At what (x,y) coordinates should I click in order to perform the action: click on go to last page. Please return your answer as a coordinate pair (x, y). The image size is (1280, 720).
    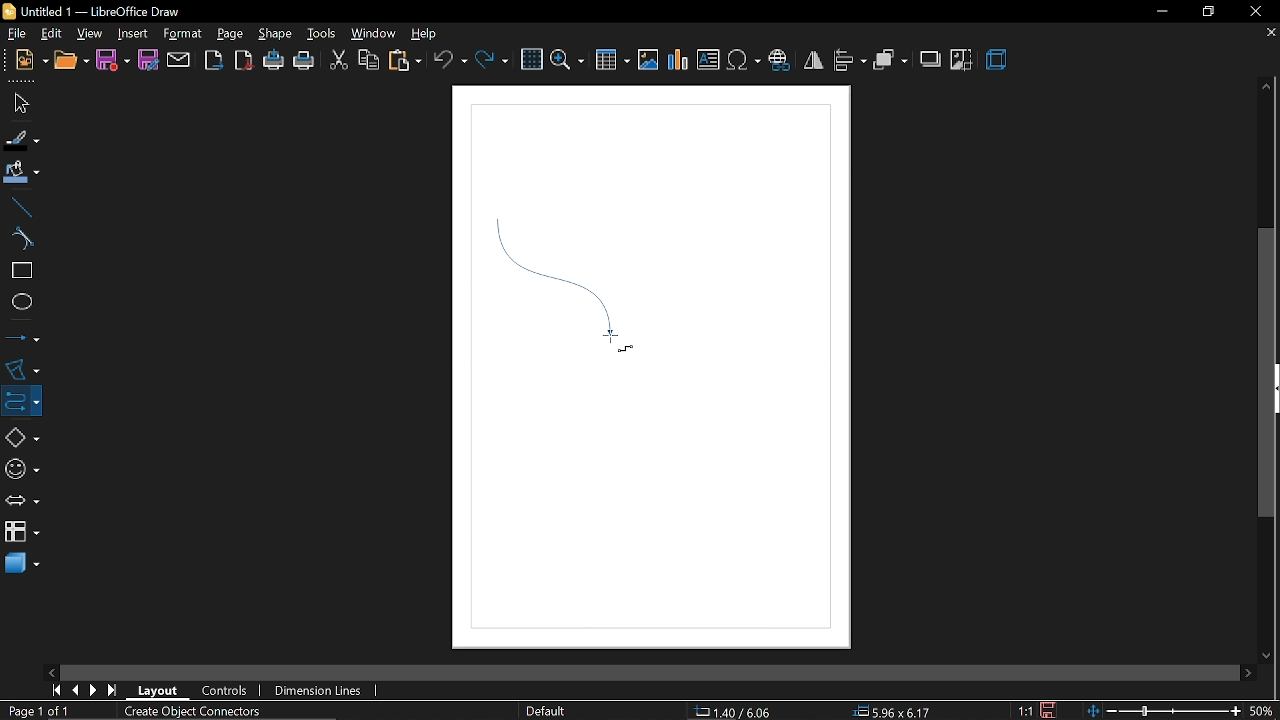
    Looking at the image, I should click on (114, 690).